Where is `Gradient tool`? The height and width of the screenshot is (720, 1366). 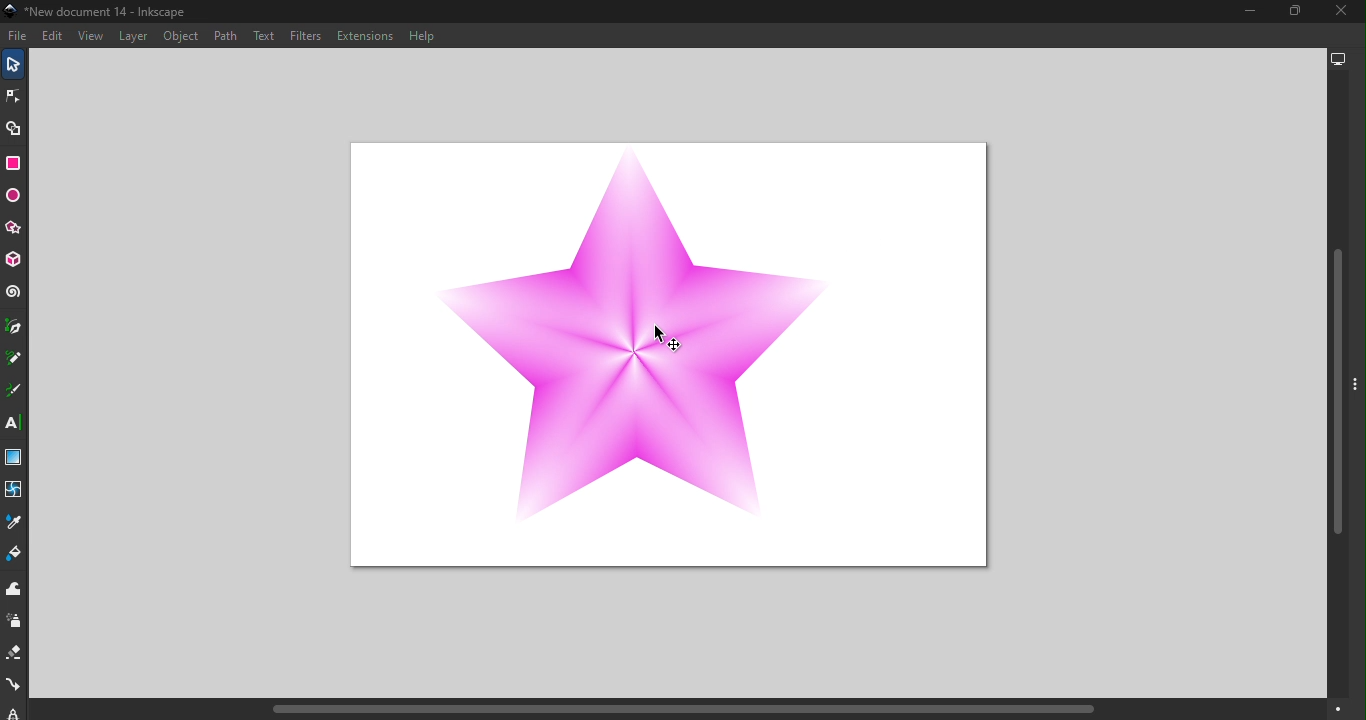 Gradient tool is located at coordinates (15, 458).